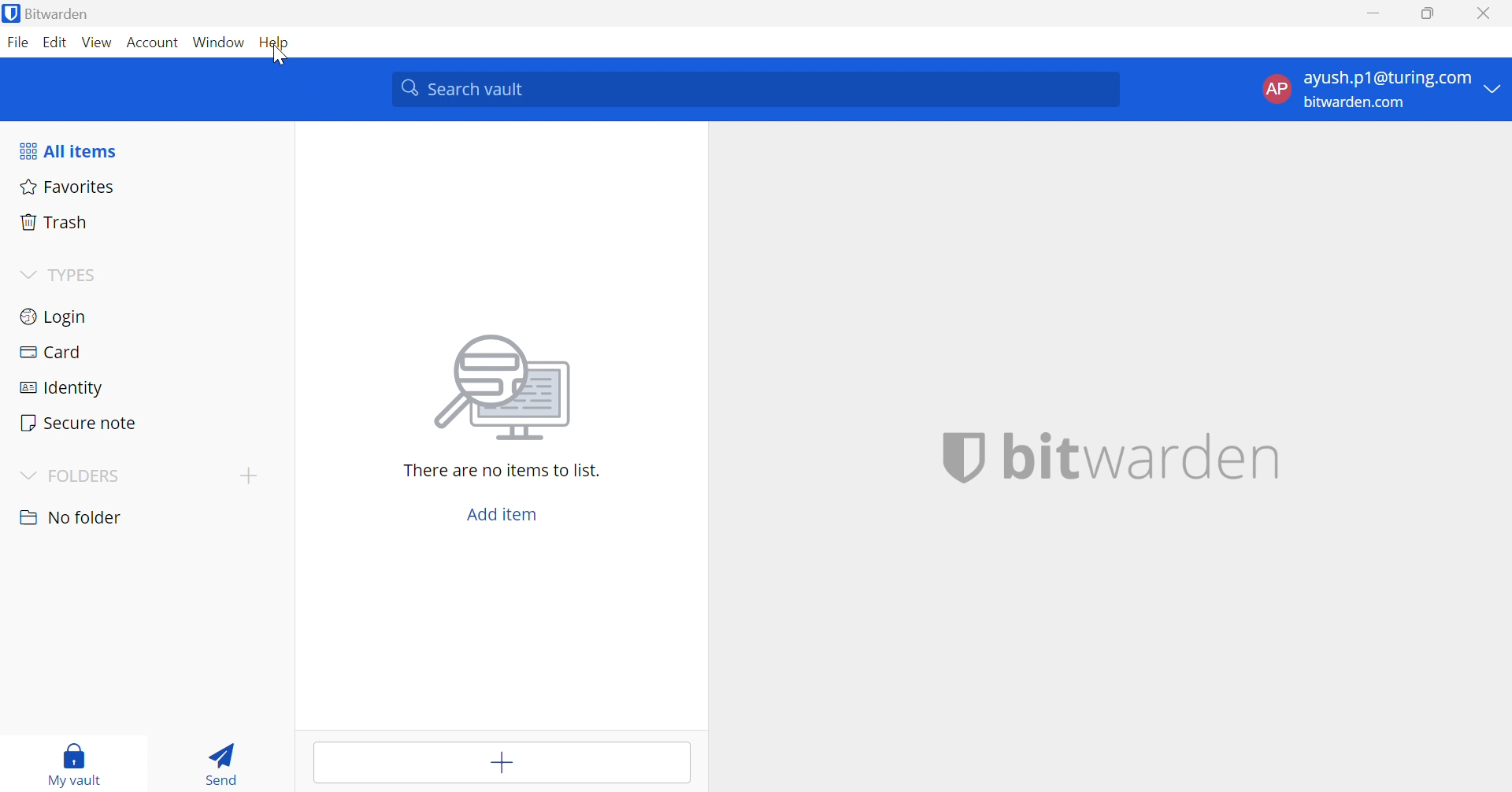  Describe the element at coordinates (758, 89) in the screenshot. I see `Search vault` at that location.